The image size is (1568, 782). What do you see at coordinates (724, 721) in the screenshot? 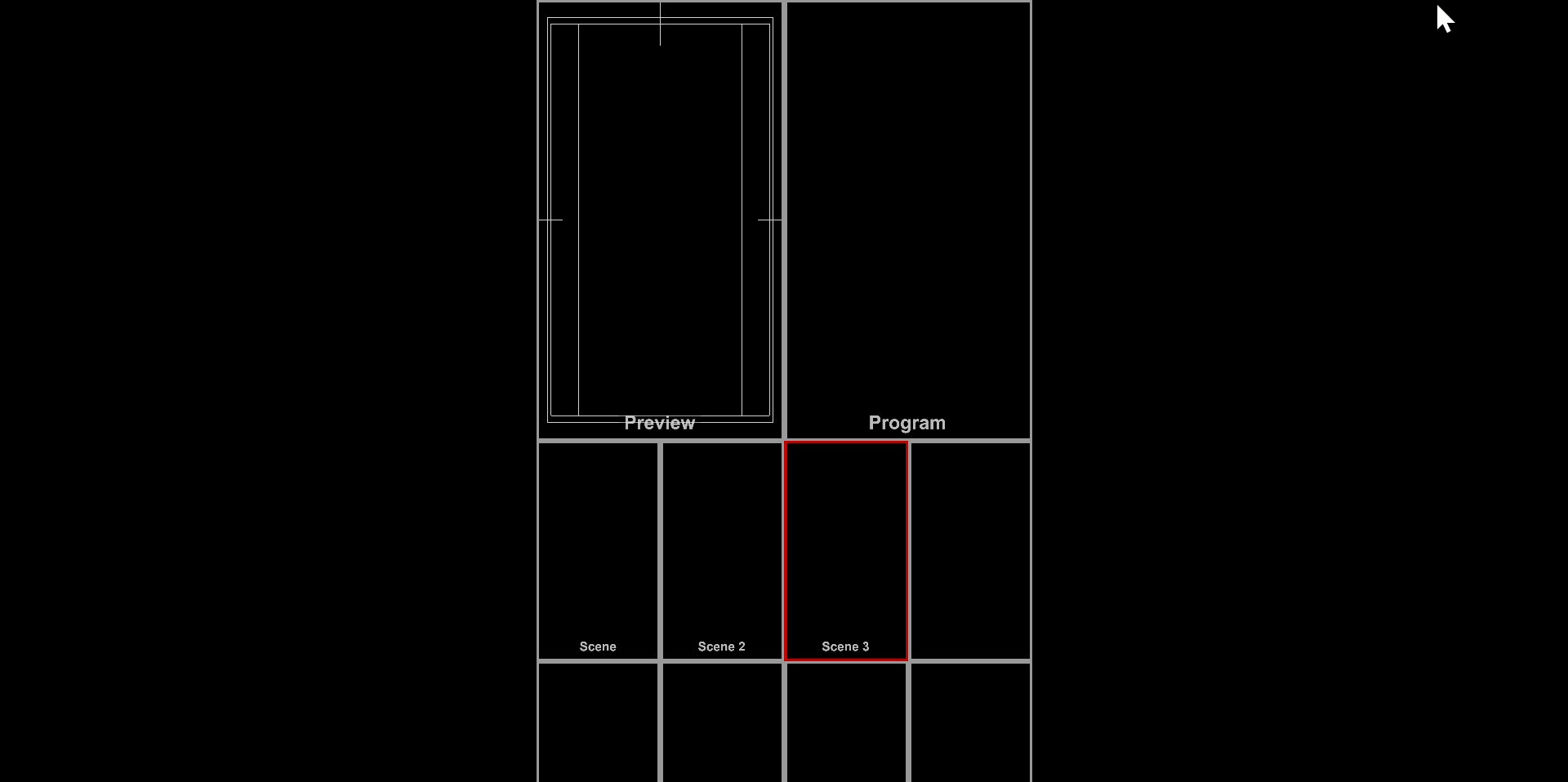
I see `placeholders for scenes that don't currently have any content assigned to them` at bounding box center [724, 721].